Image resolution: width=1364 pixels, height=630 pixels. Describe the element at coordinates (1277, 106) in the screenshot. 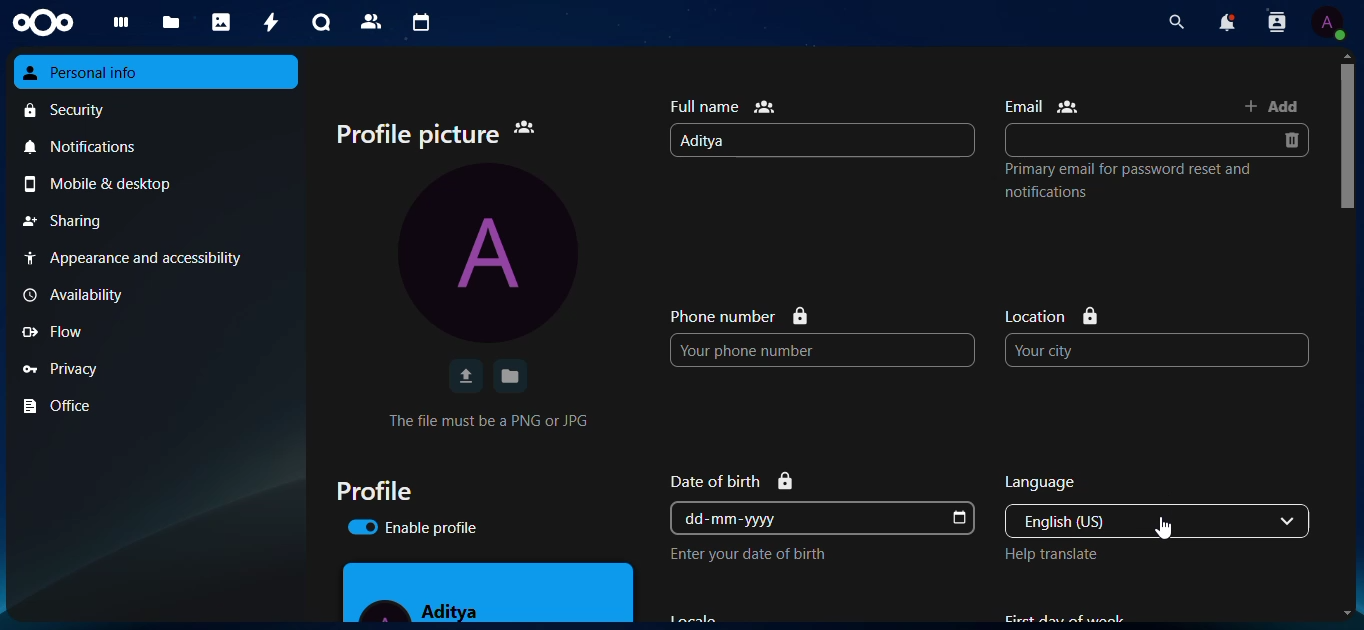

I see `add` at that location.